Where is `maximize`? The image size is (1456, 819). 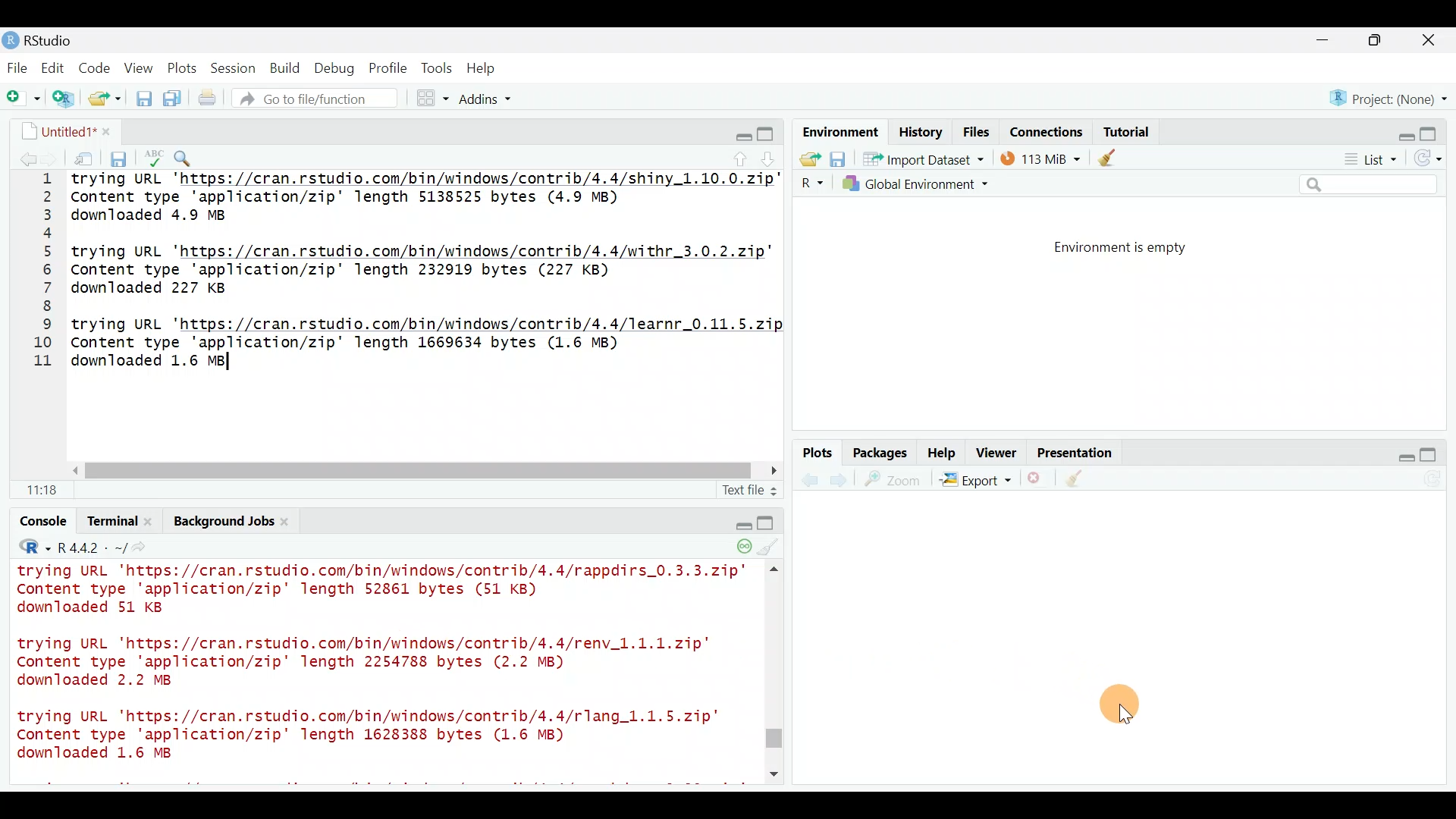
maximize is located at coordinates (1435, 454).